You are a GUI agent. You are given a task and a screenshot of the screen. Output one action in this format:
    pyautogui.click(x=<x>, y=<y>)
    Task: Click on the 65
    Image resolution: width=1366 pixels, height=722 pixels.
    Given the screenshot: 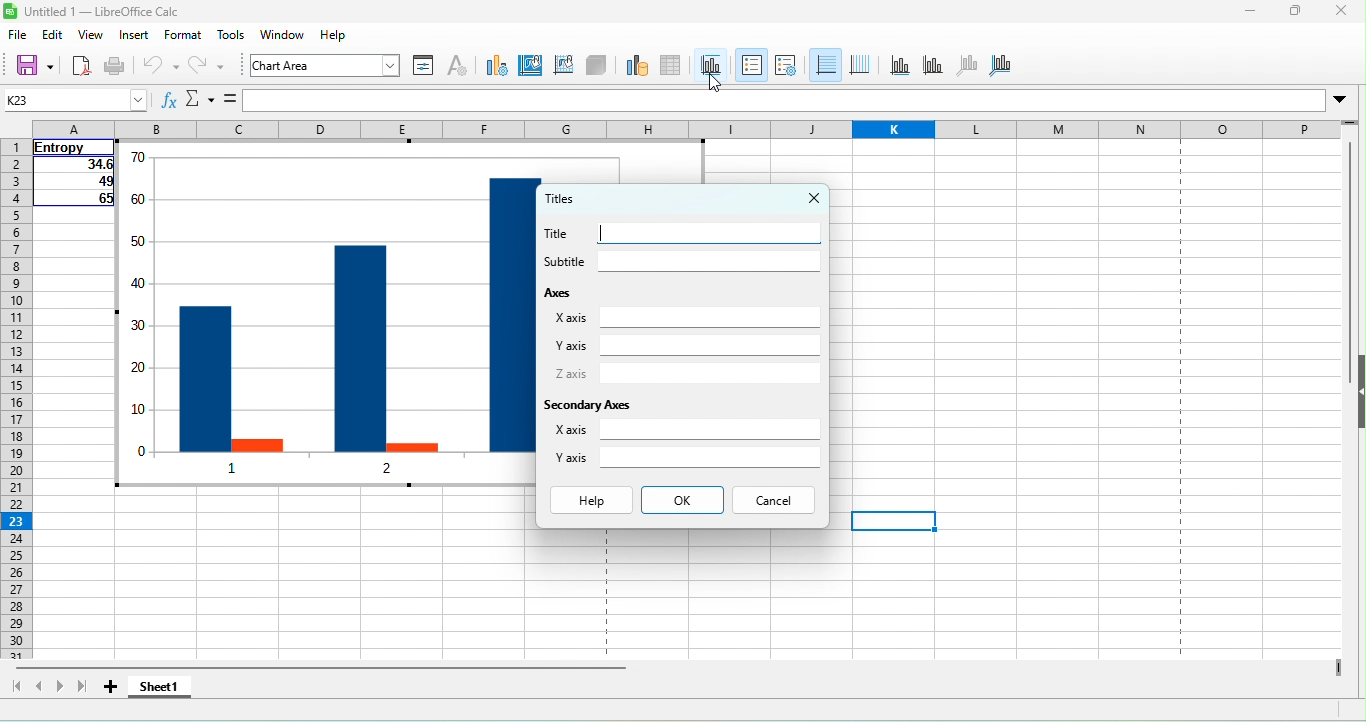 What is the action you would take?
    pyautogui.click(x=77, y=200)
    